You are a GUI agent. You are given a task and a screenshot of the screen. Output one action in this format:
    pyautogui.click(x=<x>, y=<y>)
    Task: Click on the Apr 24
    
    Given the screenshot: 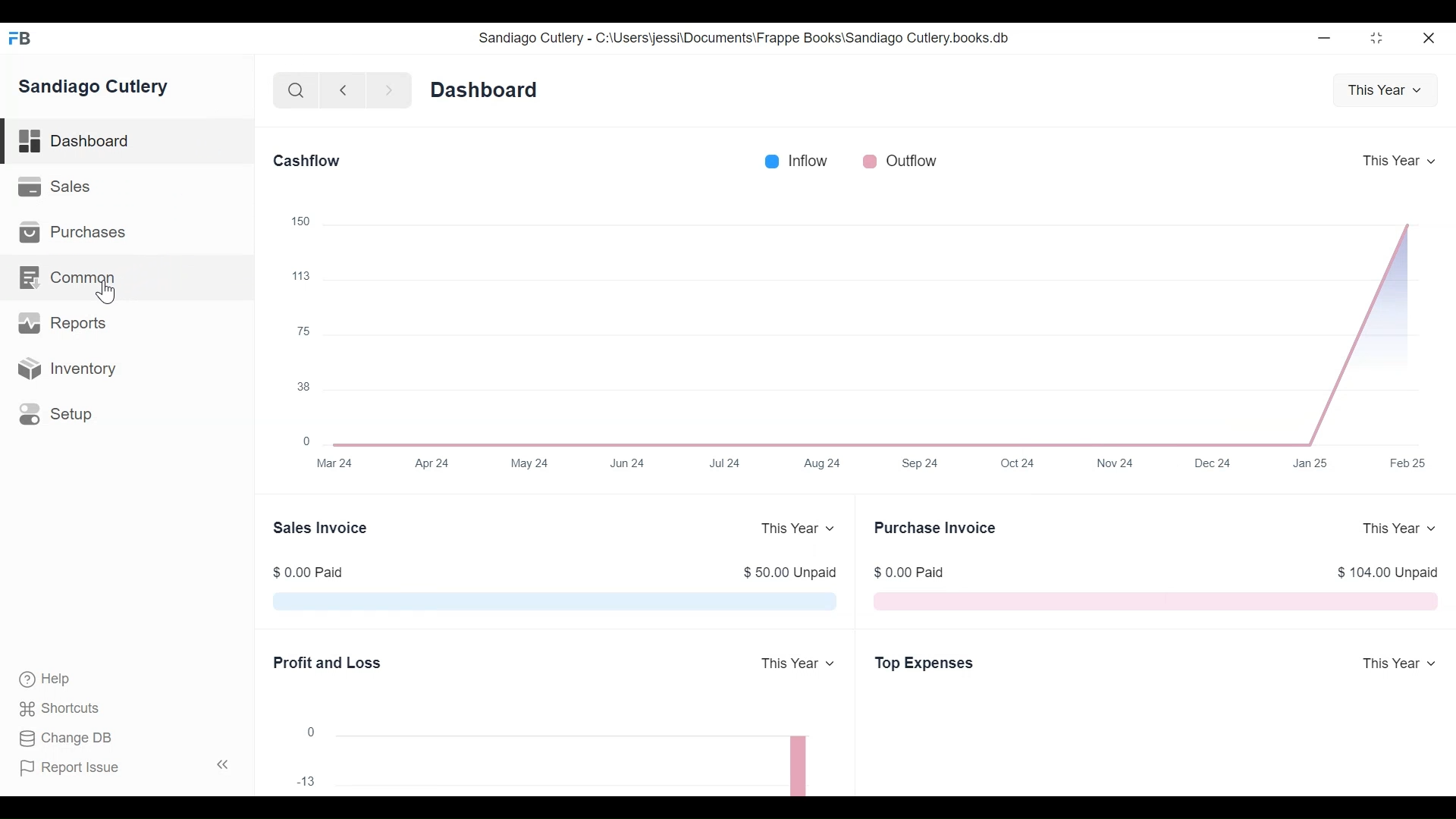 What is the action you would take?
    pyautogui.click(x=432, y=462)
    